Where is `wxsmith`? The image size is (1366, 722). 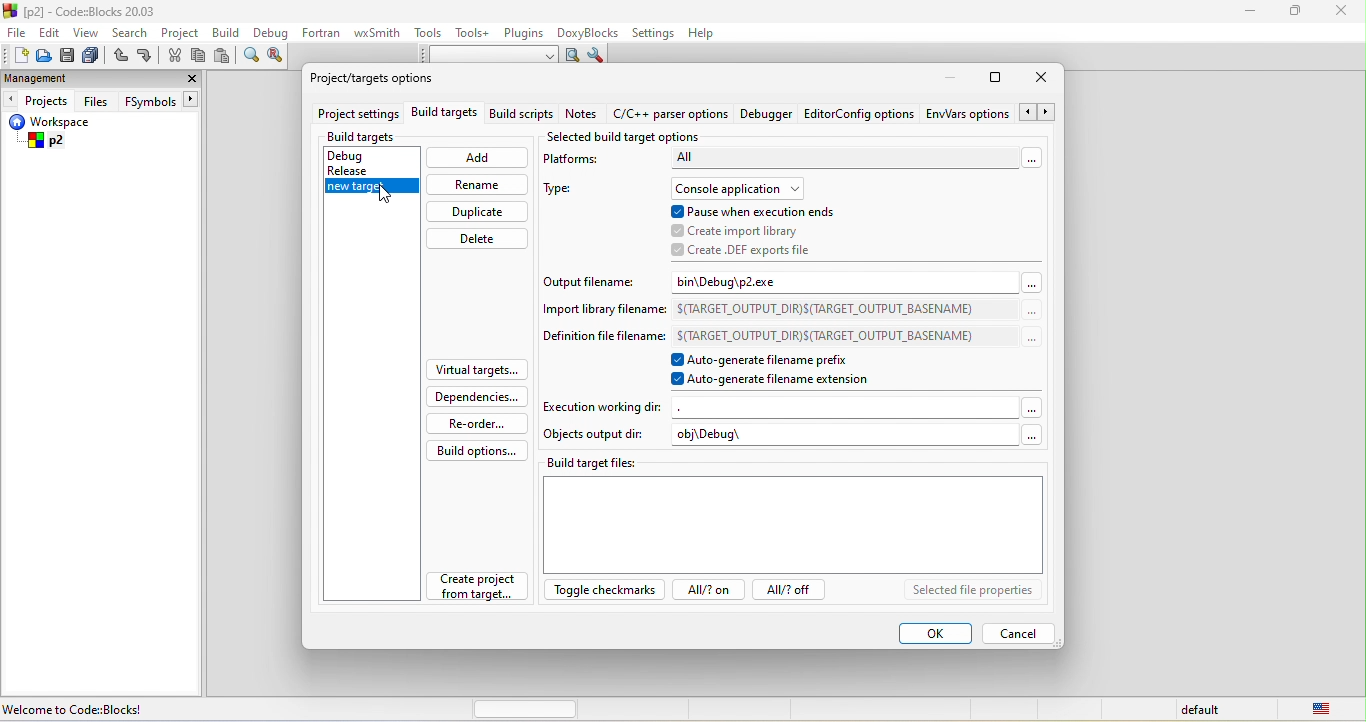
wxsmith is located at coordinates (379, 32).